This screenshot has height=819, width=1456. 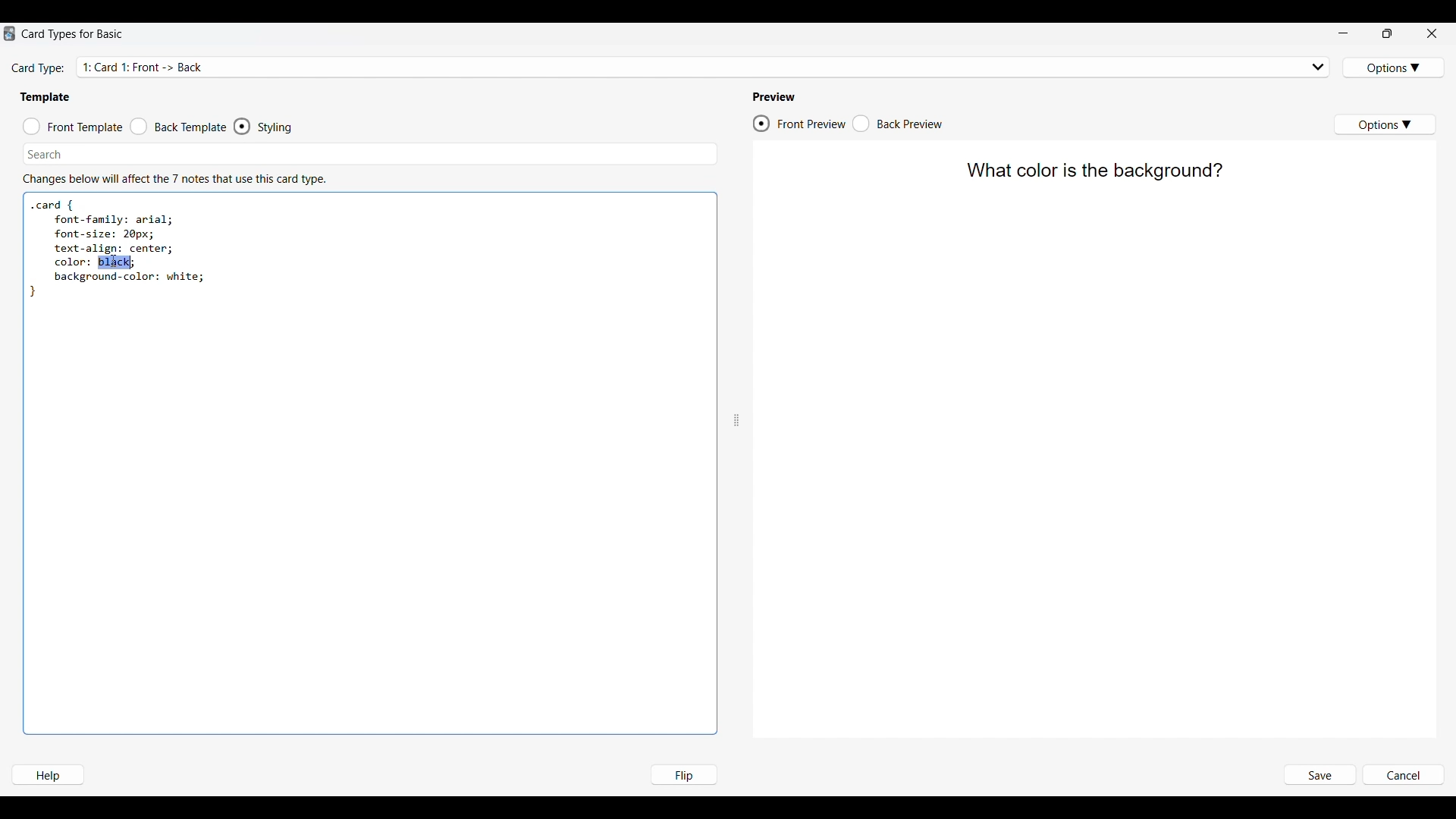 What do you see at coordinates (898, 124) in the screenshot?
I see `Preview back of card` at bounding box center [898, 124].